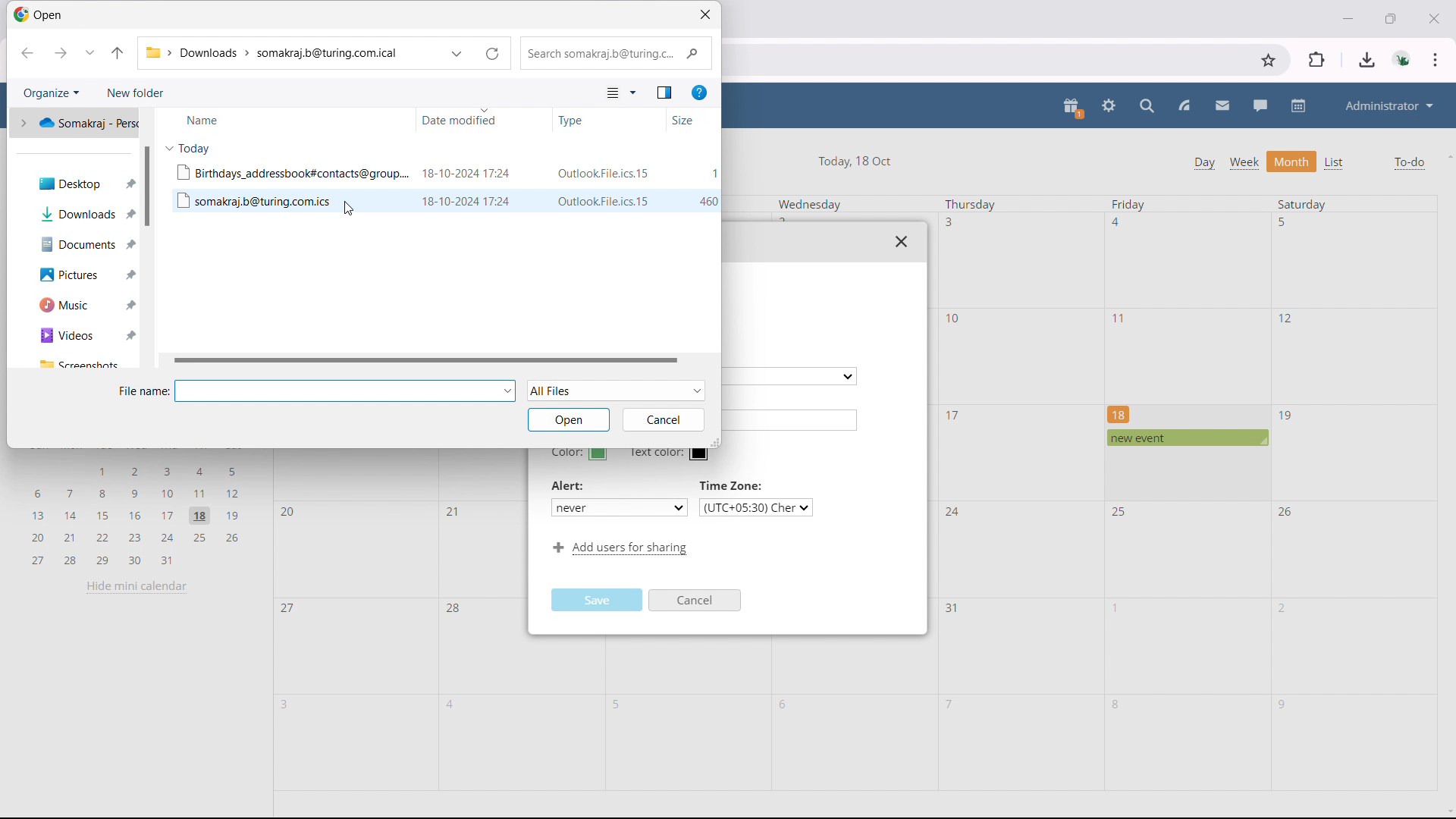 The width and height of the screenshot is (1456, 819). What do you see at coordinates (605, 201) in the screenshot?
I see `OutlookFile.ics.15` at bounding box center [605, 201].